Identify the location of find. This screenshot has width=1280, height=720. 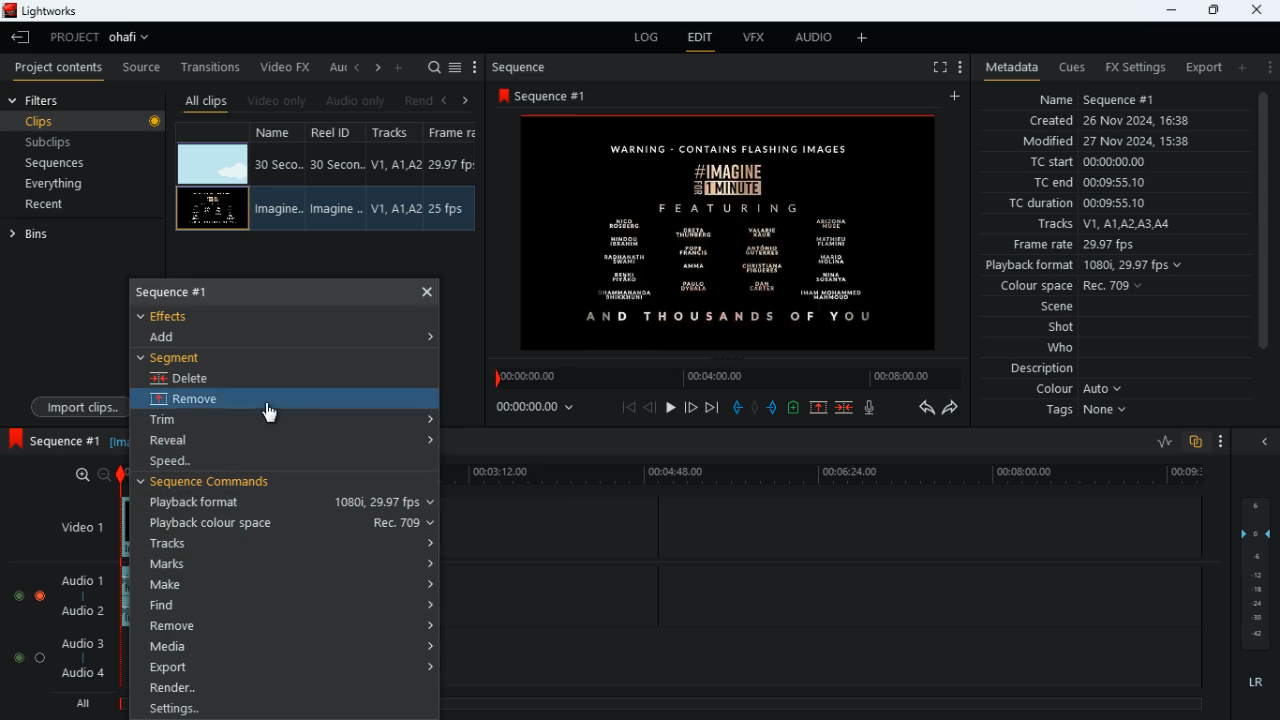
(290, 605).